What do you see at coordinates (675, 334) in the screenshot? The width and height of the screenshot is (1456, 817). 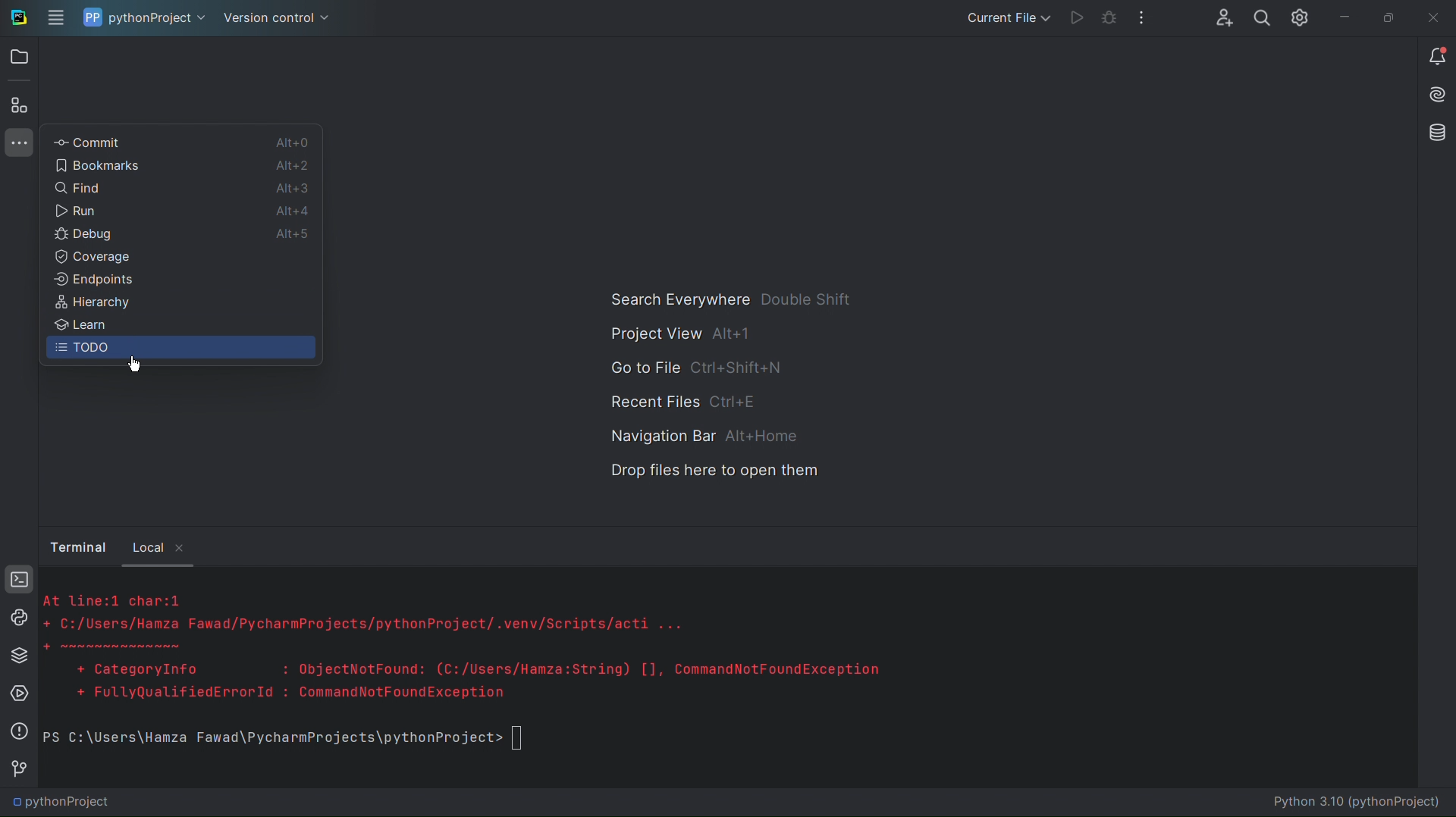 I see `Project View alt + 1` at bounding box center [675, 334].